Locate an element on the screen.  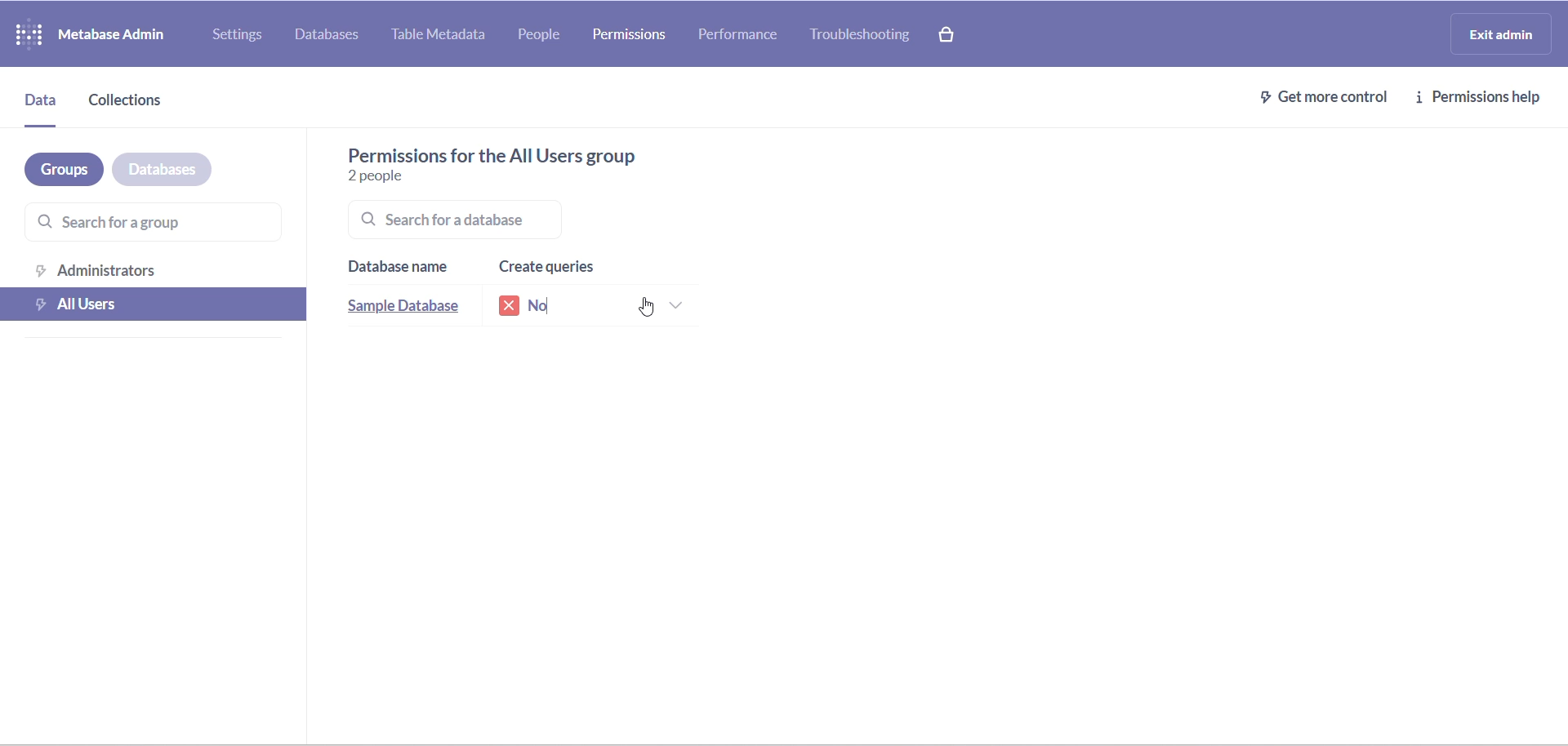
number of people in group is located at coordinates (394, 176).